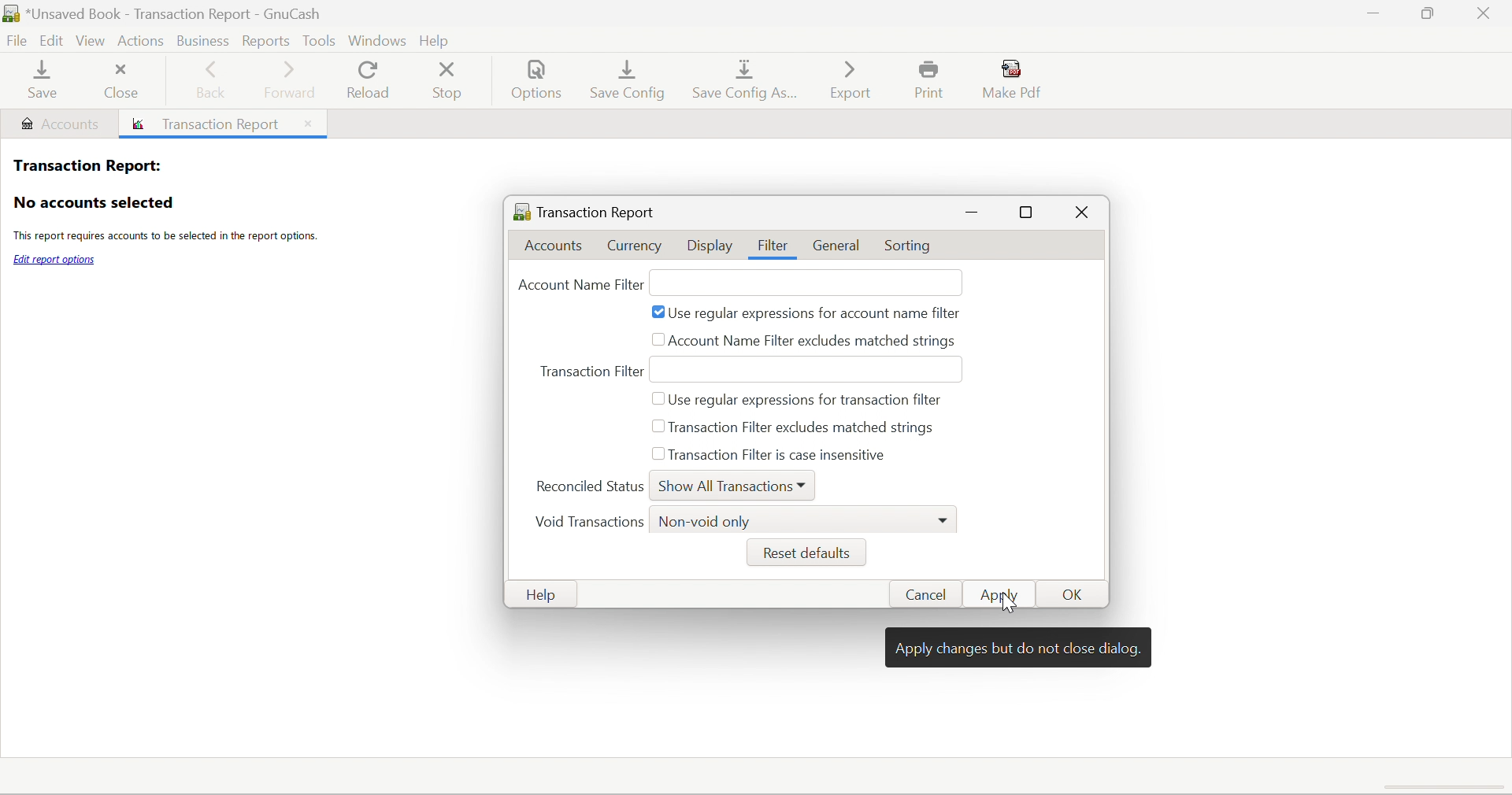 The width and height of the screenshot is (1512, 795). What do you see at coordinates (54, 41) in the screenshot?
I see `Edit` at bounding box center [54, 41].